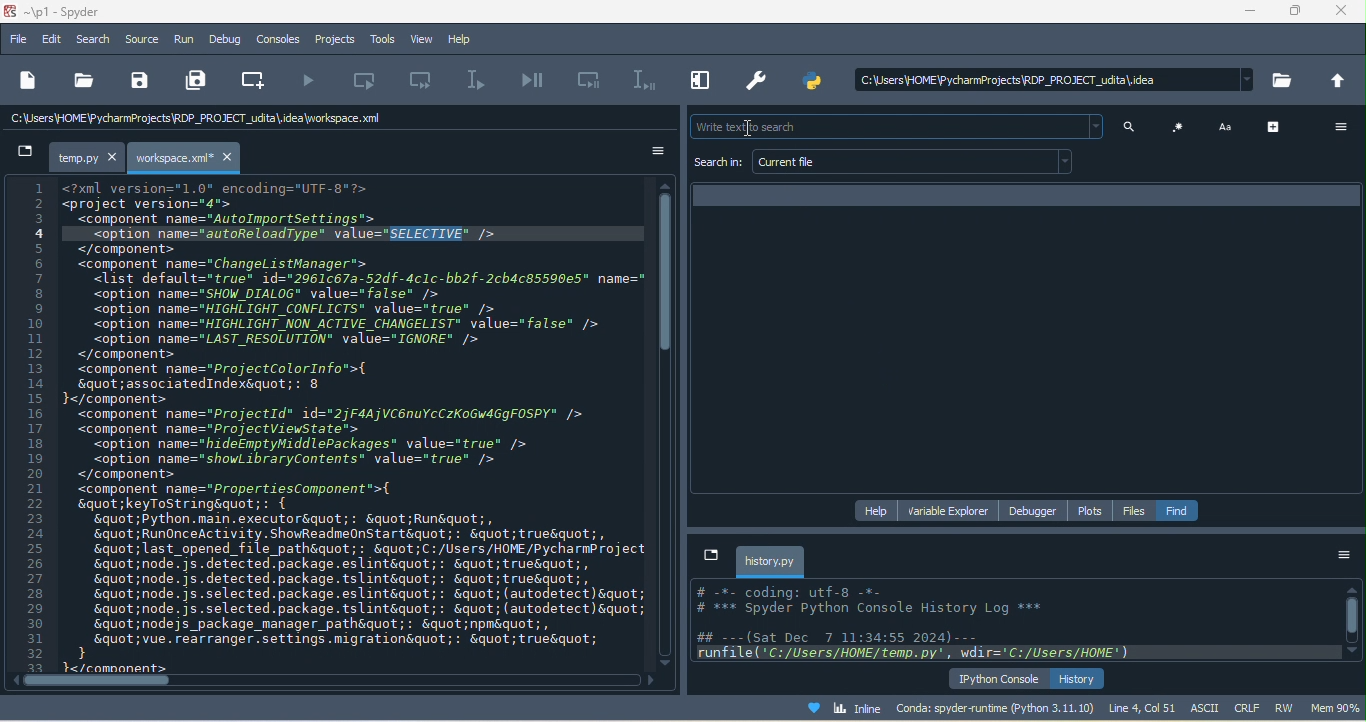 This screenshot has width=1366, height=722. Describe the element at coordinates (1246, 708) in the screenshot. I see `crlf` at that location.